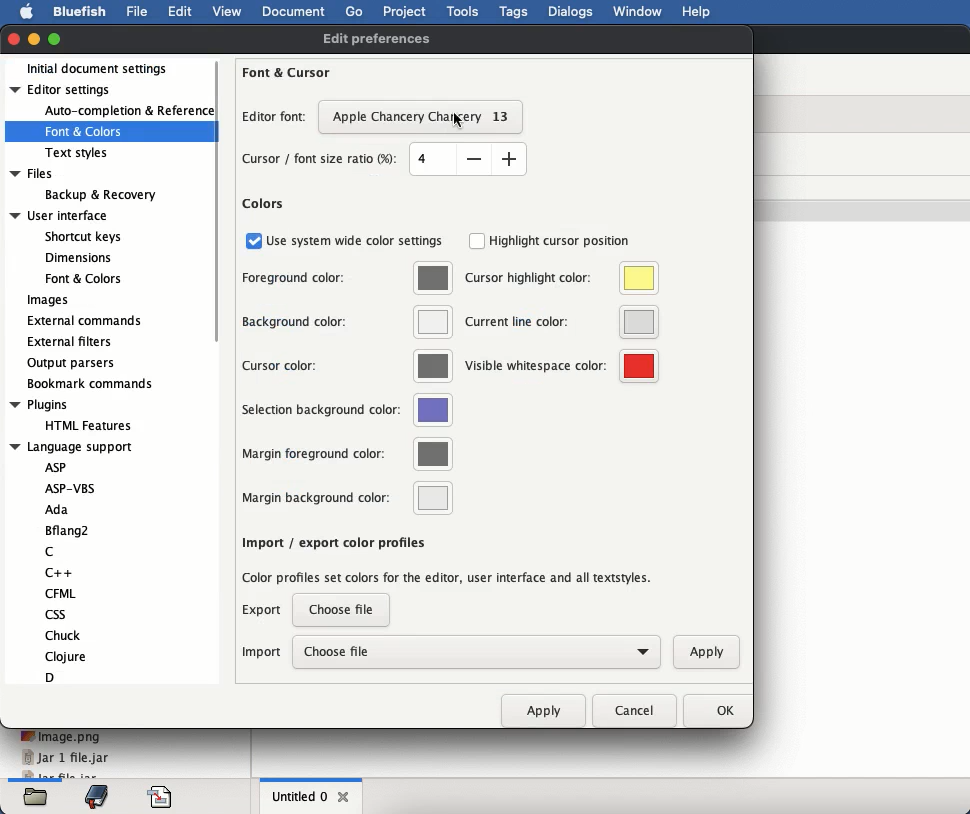  Describe the element at coordinates (51, 301) in the screenshot. I see `images` at that location.